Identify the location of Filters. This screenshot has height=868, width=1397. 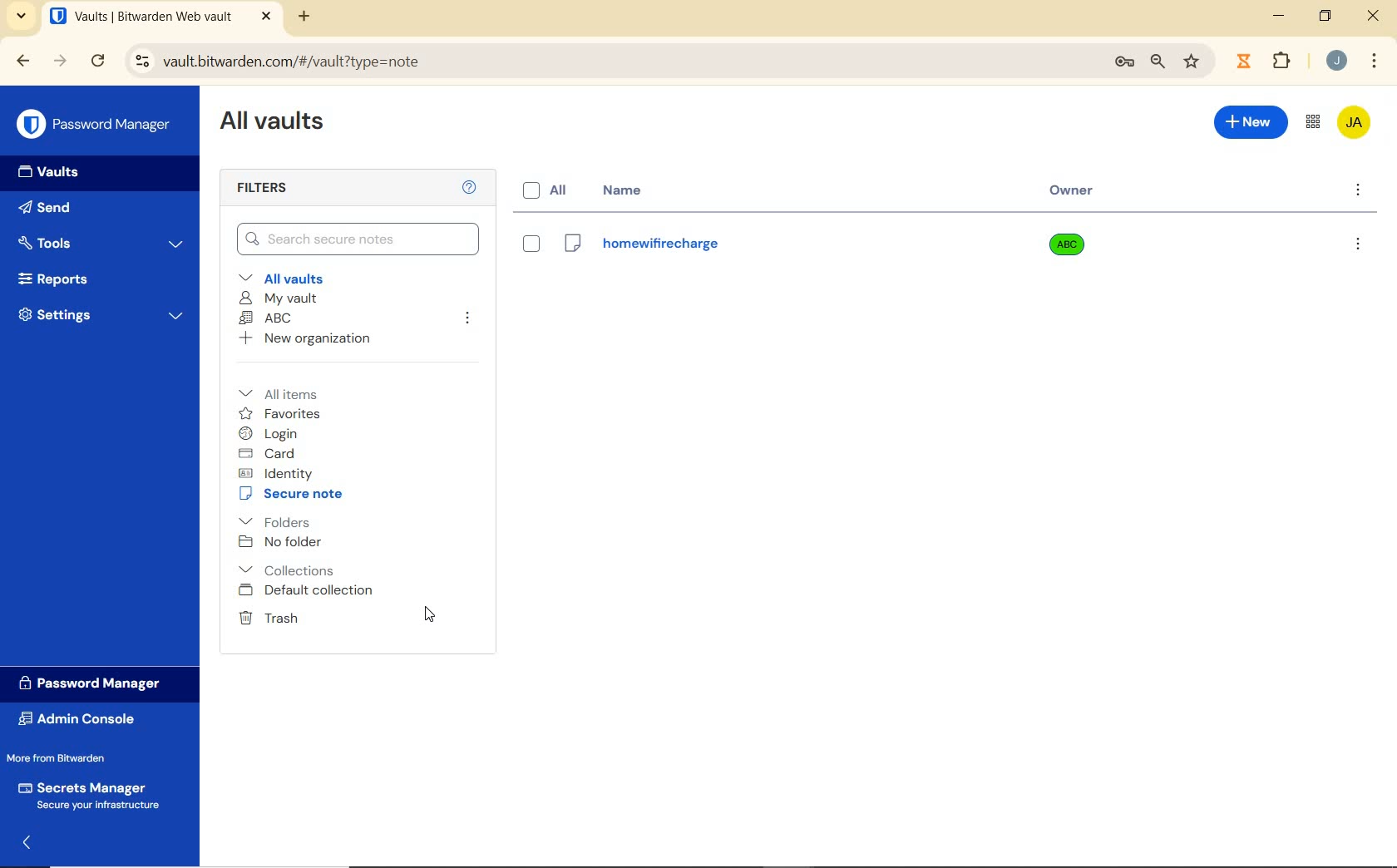
(281, 189).